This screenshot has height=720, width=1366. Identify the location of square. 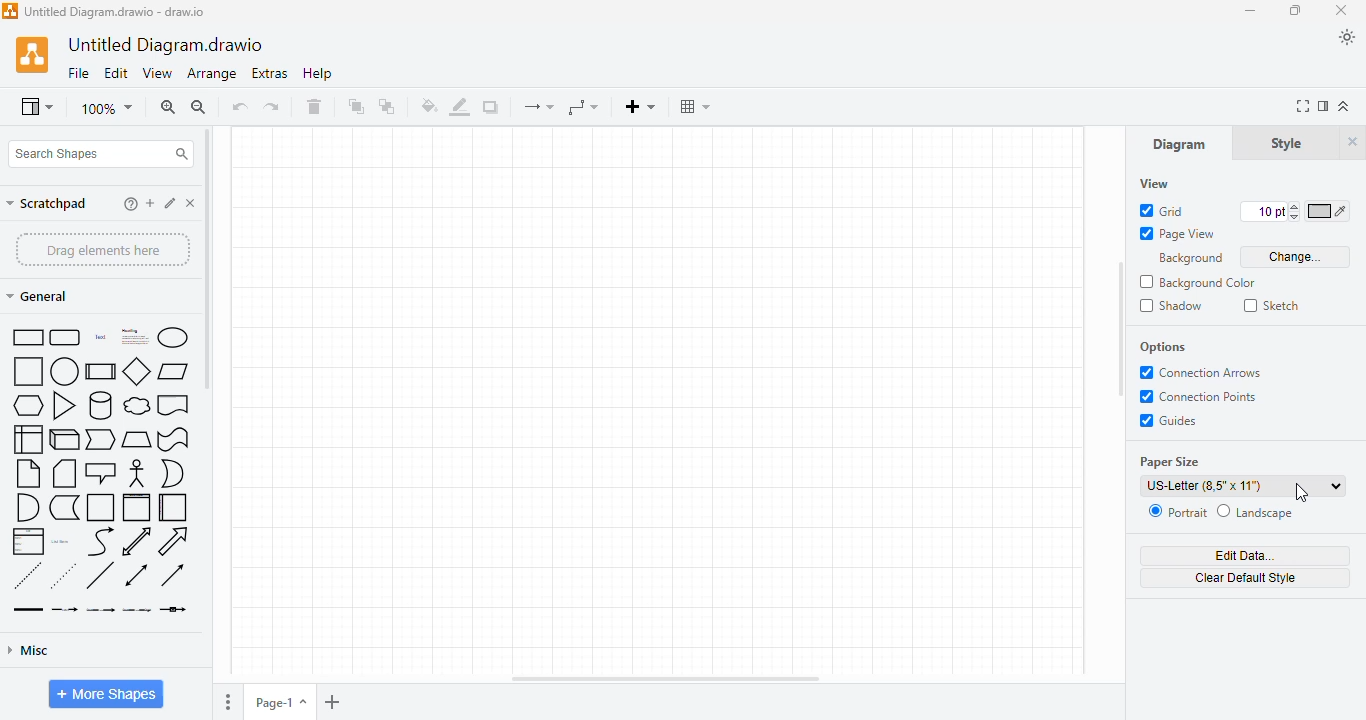
(28, 371).